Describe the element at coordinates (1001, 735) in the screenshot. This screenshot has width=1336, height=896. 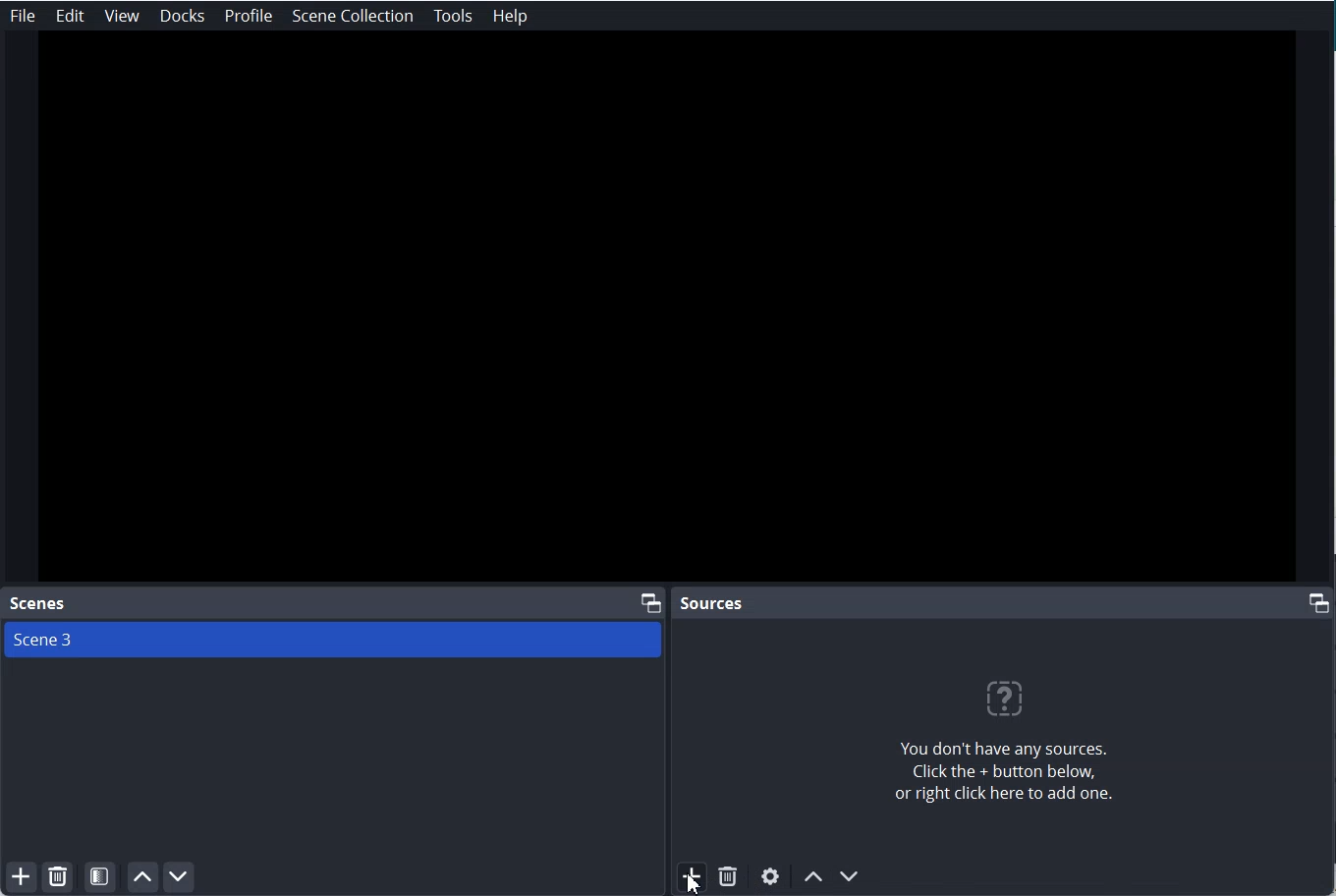
I see `You don't have any sources. Click the + button below or right click here to add one` at that location.